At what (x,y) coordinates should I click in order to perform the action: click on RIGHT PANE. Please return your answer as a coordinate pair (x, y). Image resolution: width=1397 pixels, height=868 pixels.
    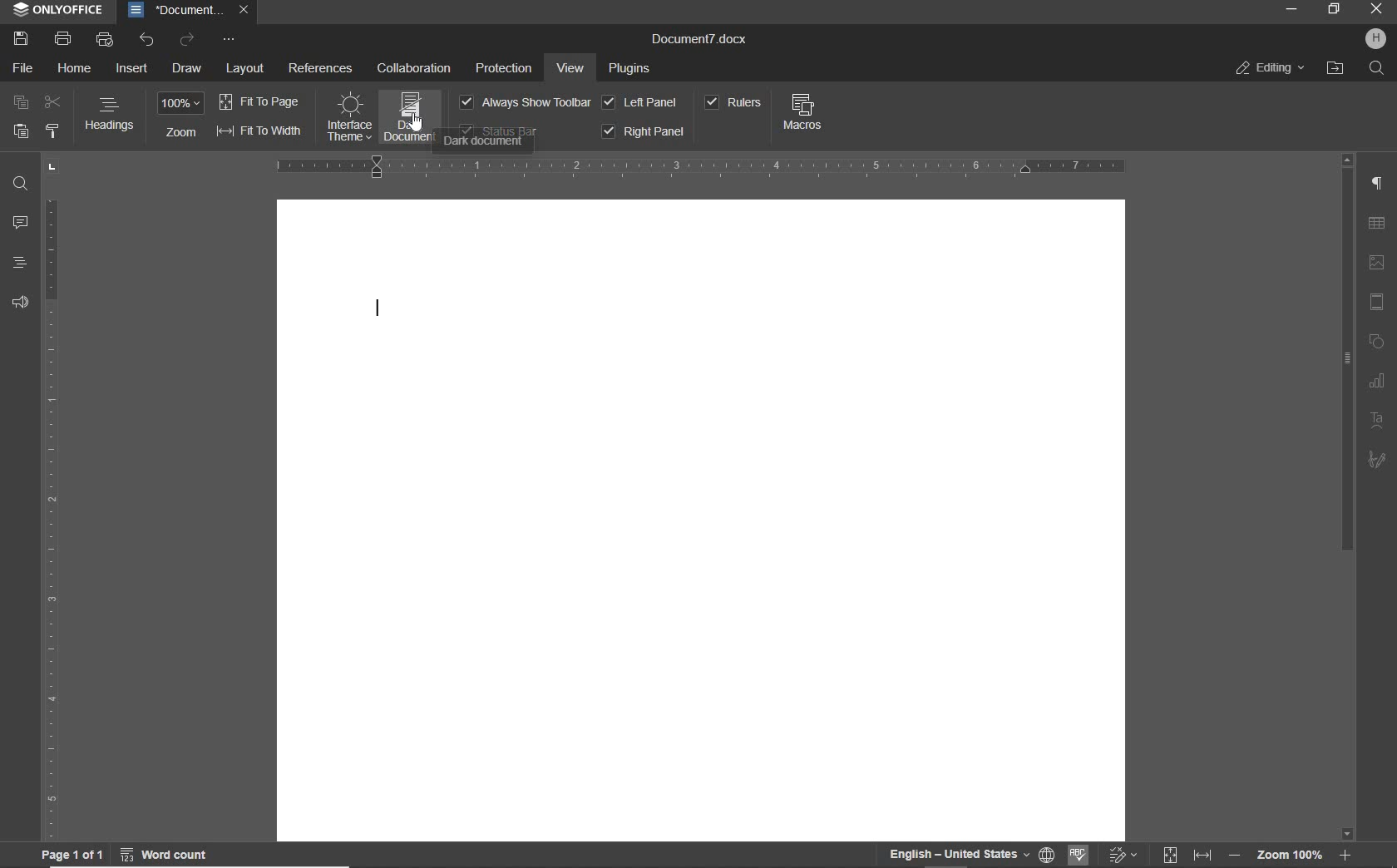
    Looking at the image, I should click on (642, 131).